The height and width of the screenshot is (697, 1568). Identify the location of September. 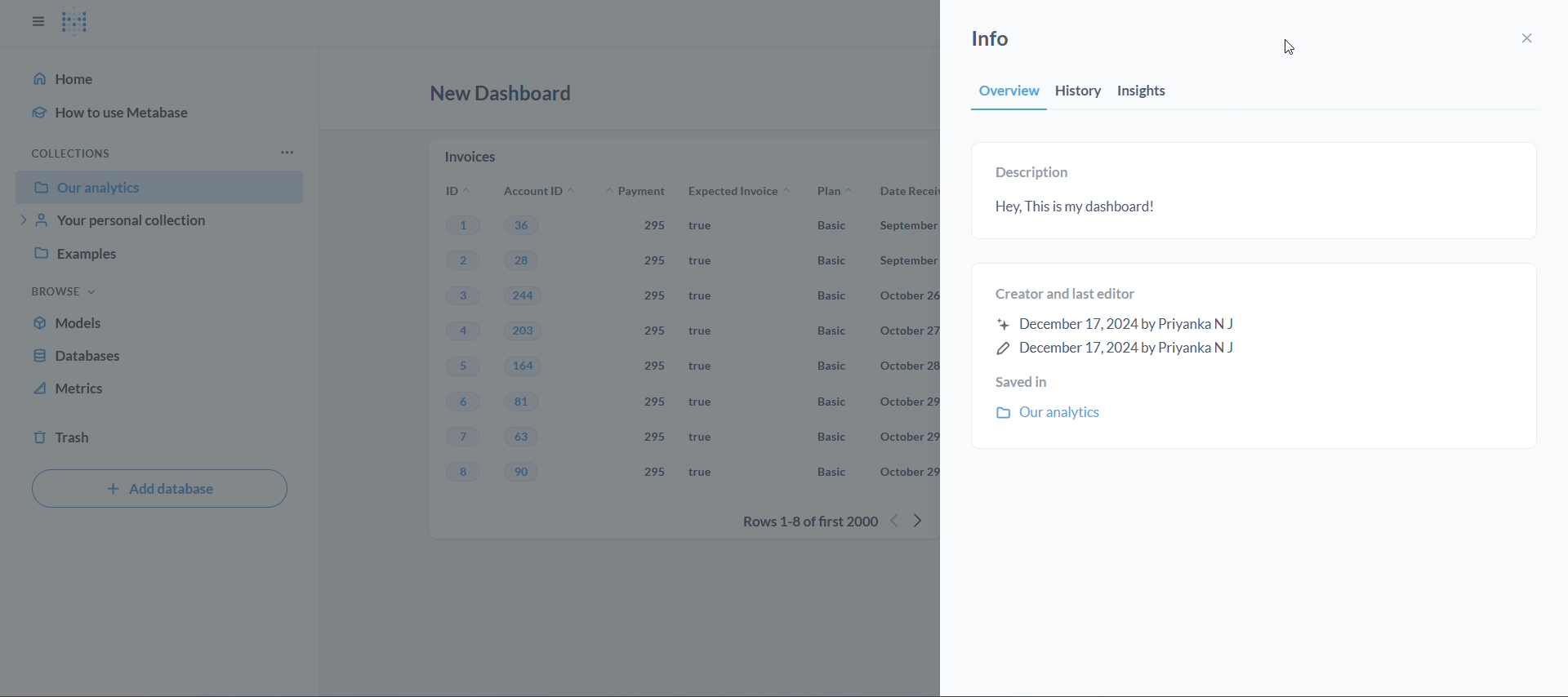
(909, 228).